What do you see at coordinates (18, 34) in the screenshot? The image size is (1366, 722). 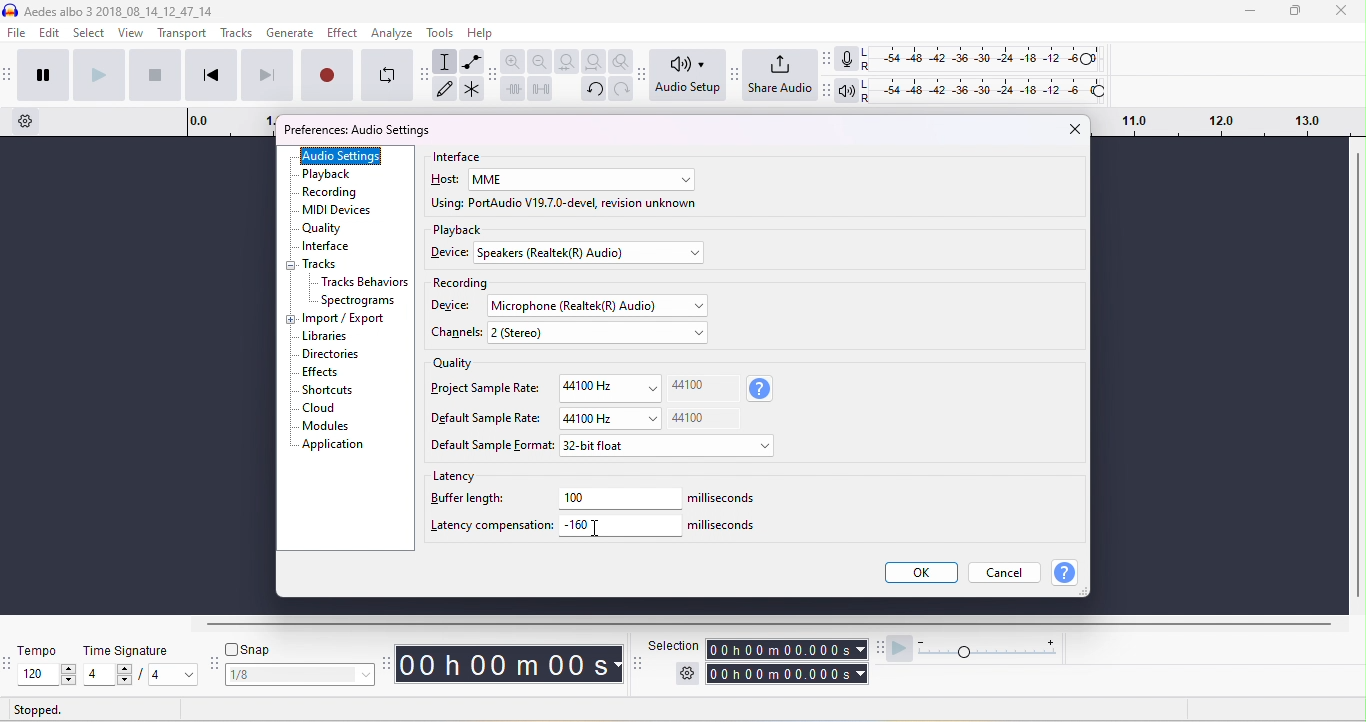 I see `file` at bounding box center [18, 34].